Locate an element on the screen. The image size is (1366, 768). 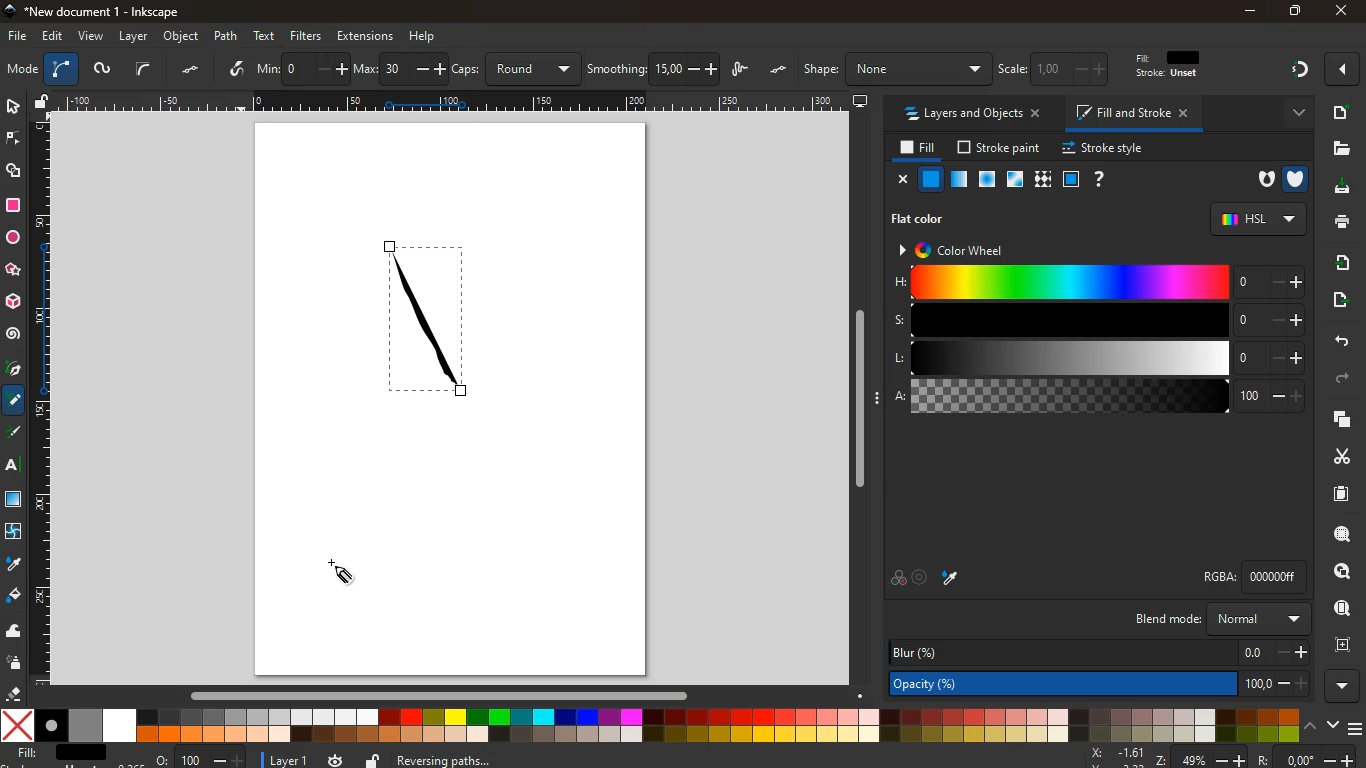
up is located at coordinates (1312, 724).